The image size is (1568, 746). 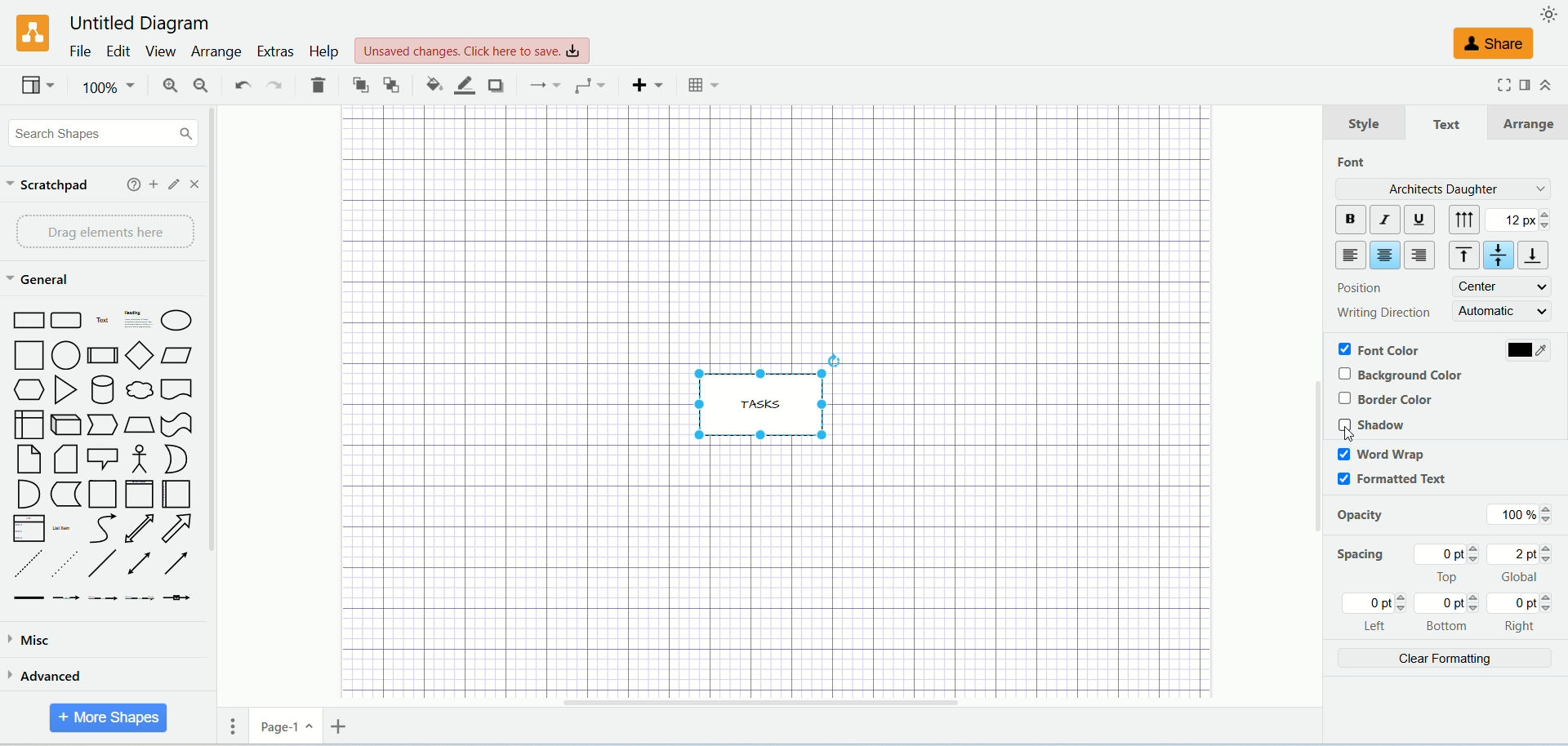 What do you see at coordinates (26, 565) in the screenshot?
I see `Dashed Line` at bounding box center [26, 565].